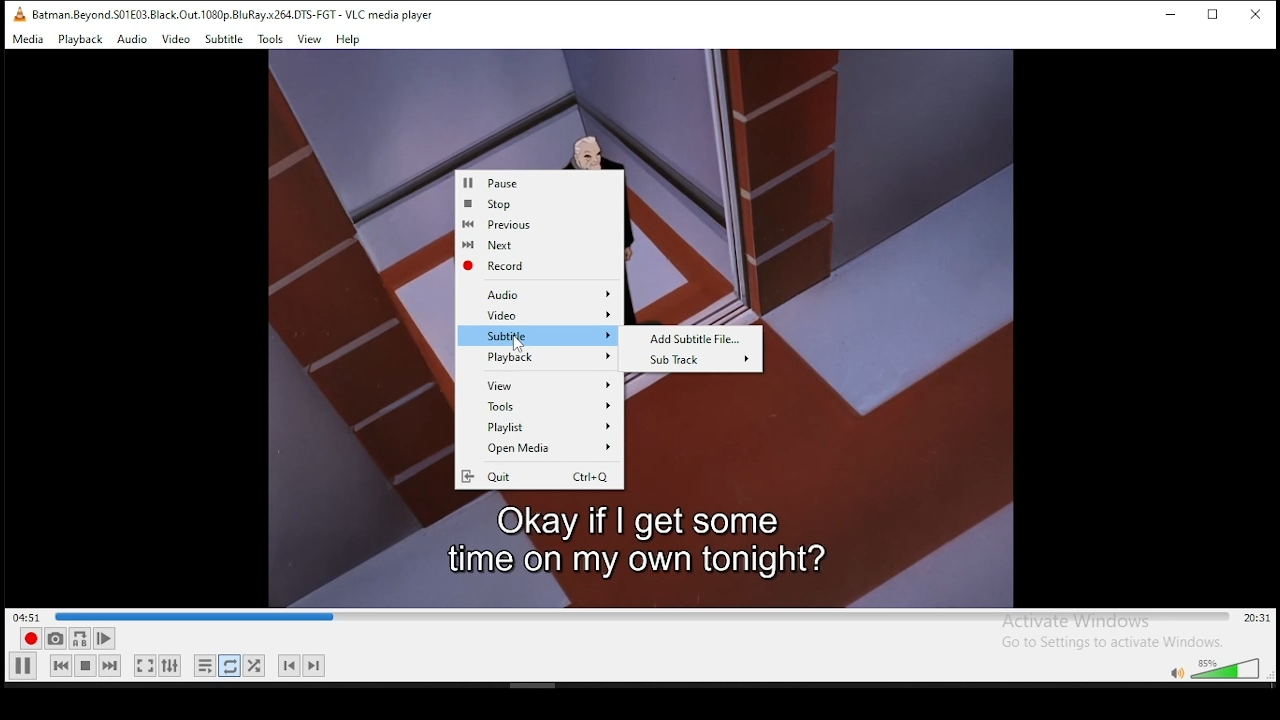 The width and height of the screenshot is (1280, 720). Describe the element at coordinates (538, 449) in the screenshot. I see `‘Open Media ` at that location.